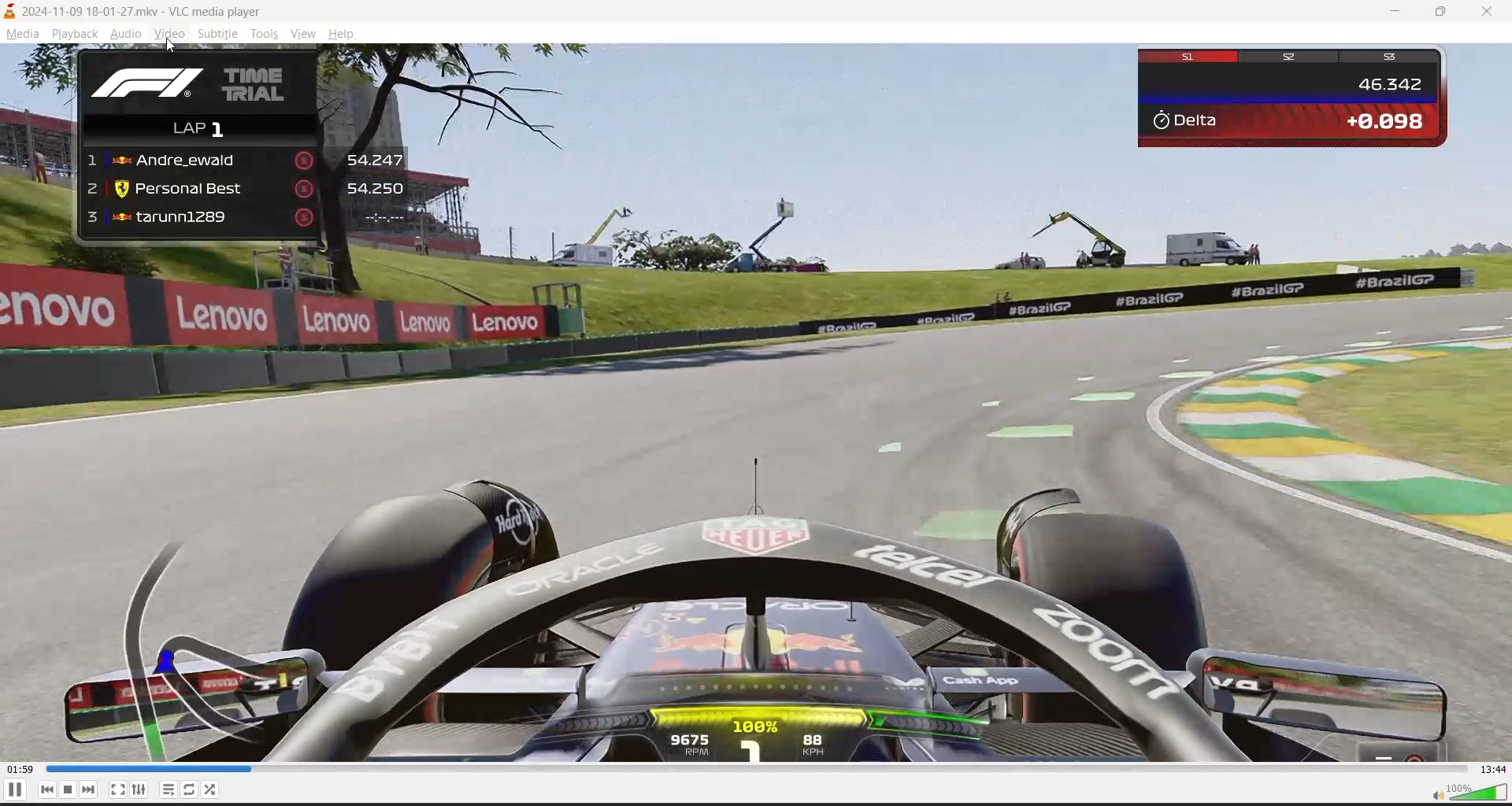 The height and width of the screenshot is (806, 1512). What do you see at coordinates (213, 789) in the screenshot?
I see `random` at bounding box center [213, 789].